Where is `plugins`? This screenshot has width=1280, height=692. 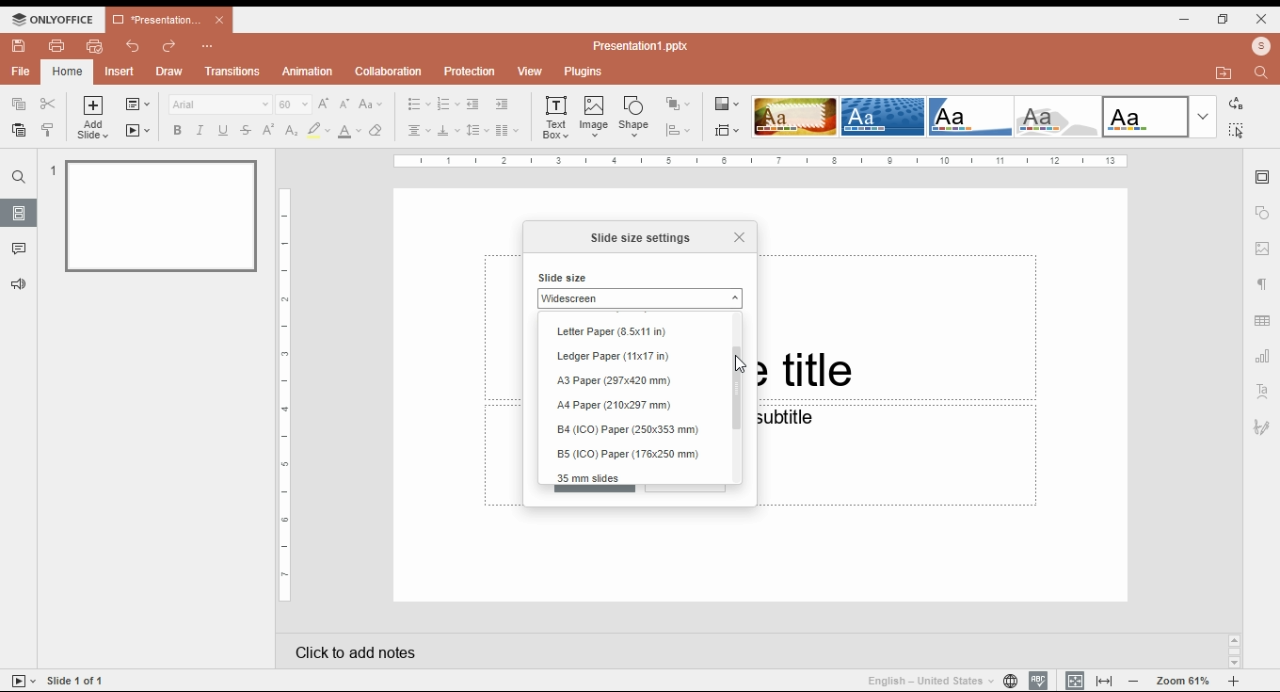
plugins is located at coordinates (584, 72).